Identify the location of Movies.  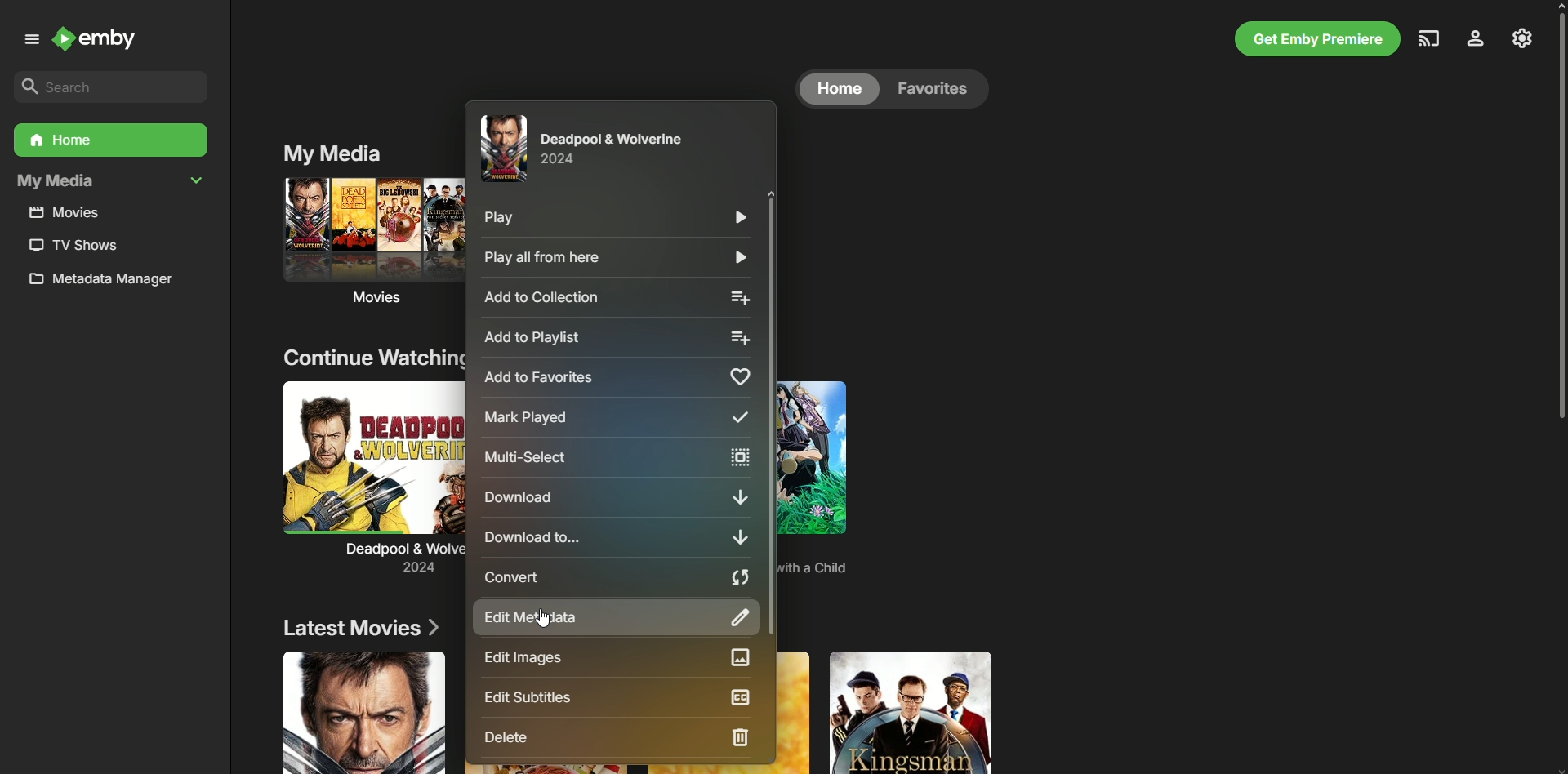
(72, 213).